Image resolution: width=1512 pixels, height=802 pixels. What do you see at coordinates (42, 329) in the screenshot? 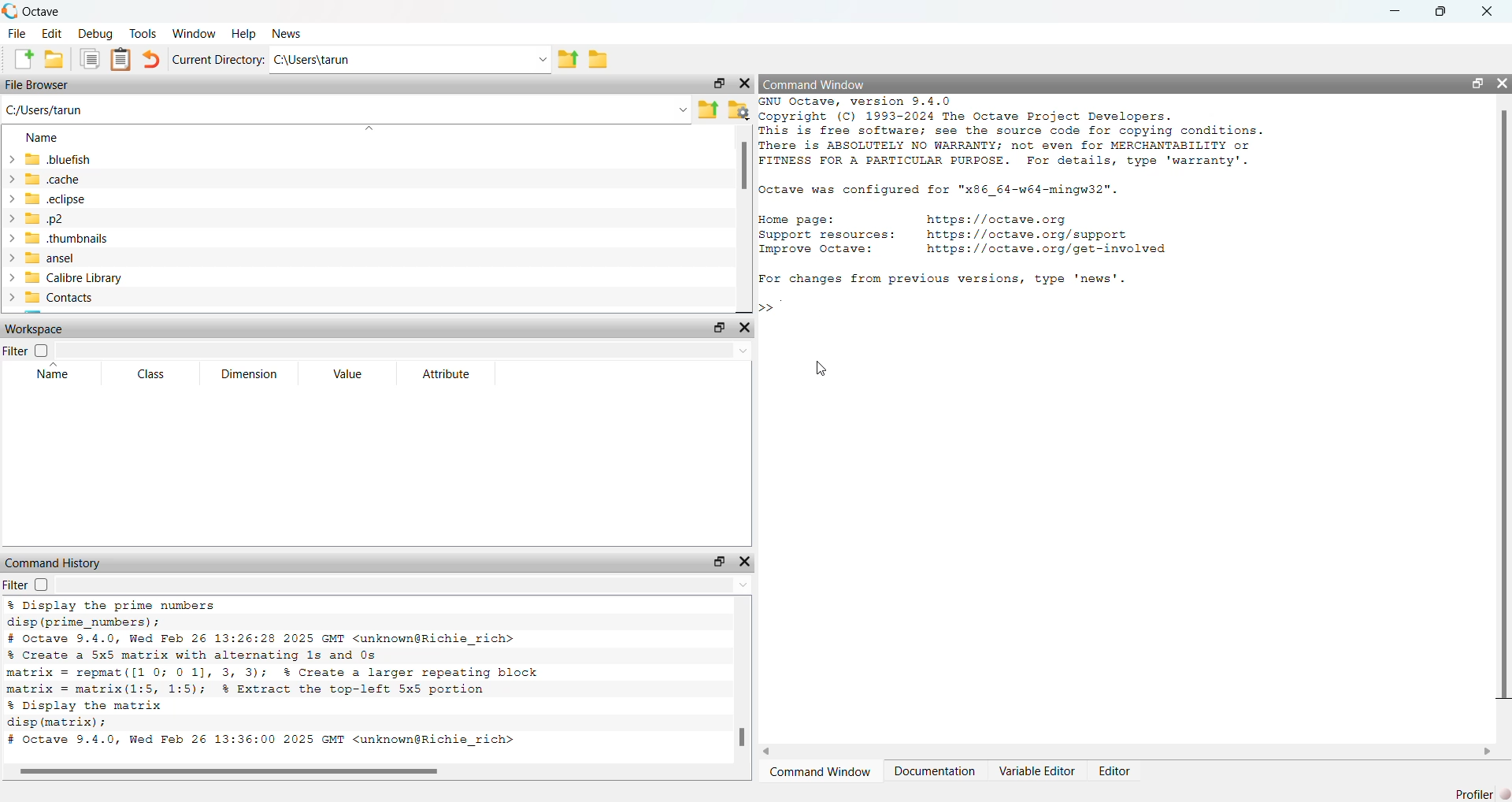
I see `workspace` at bounding box center [42, 329].